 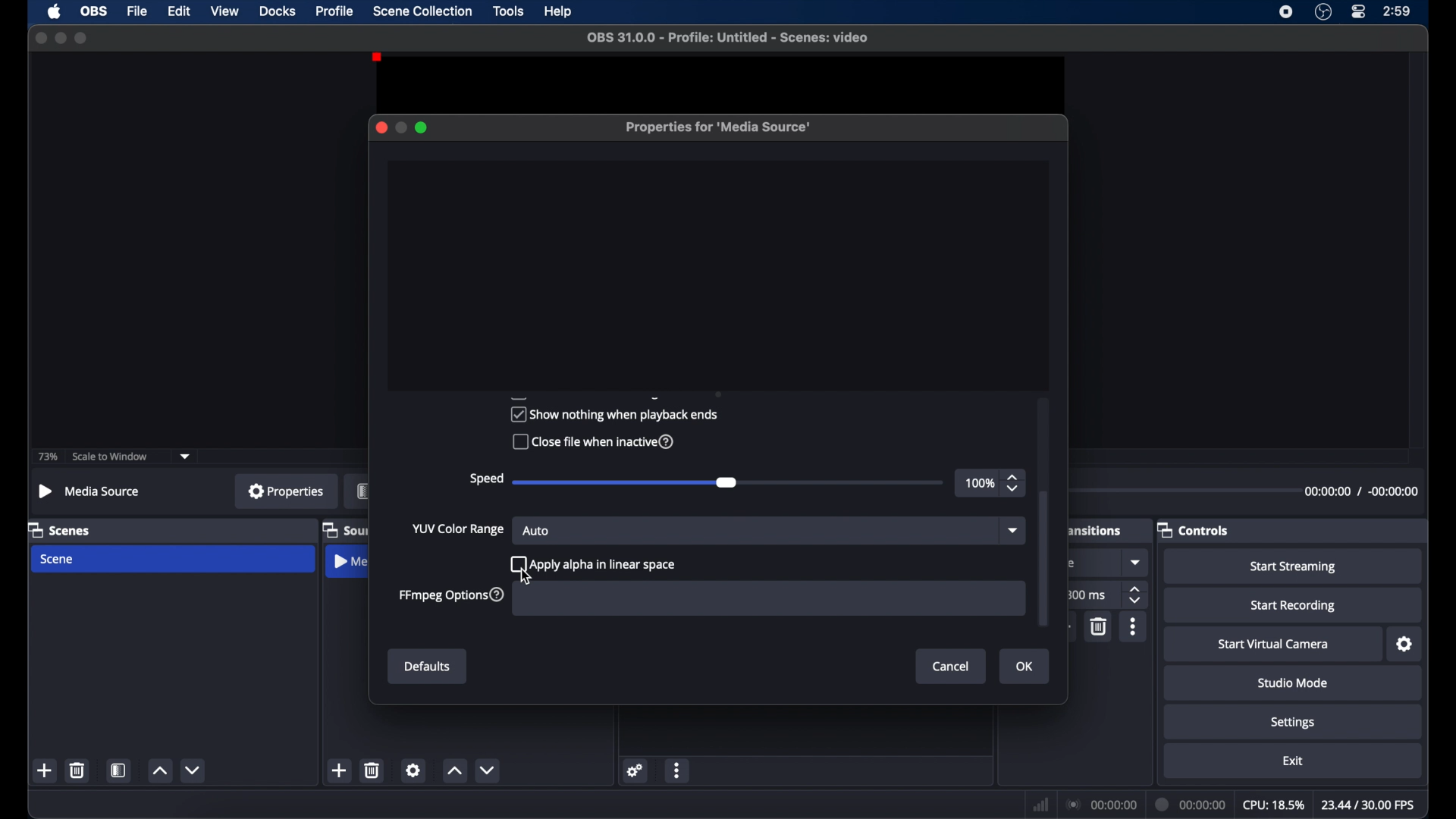 What do you see at coordinates (677, 770) in the screenshot?
I see `more options` at bounding box center [677, 770].